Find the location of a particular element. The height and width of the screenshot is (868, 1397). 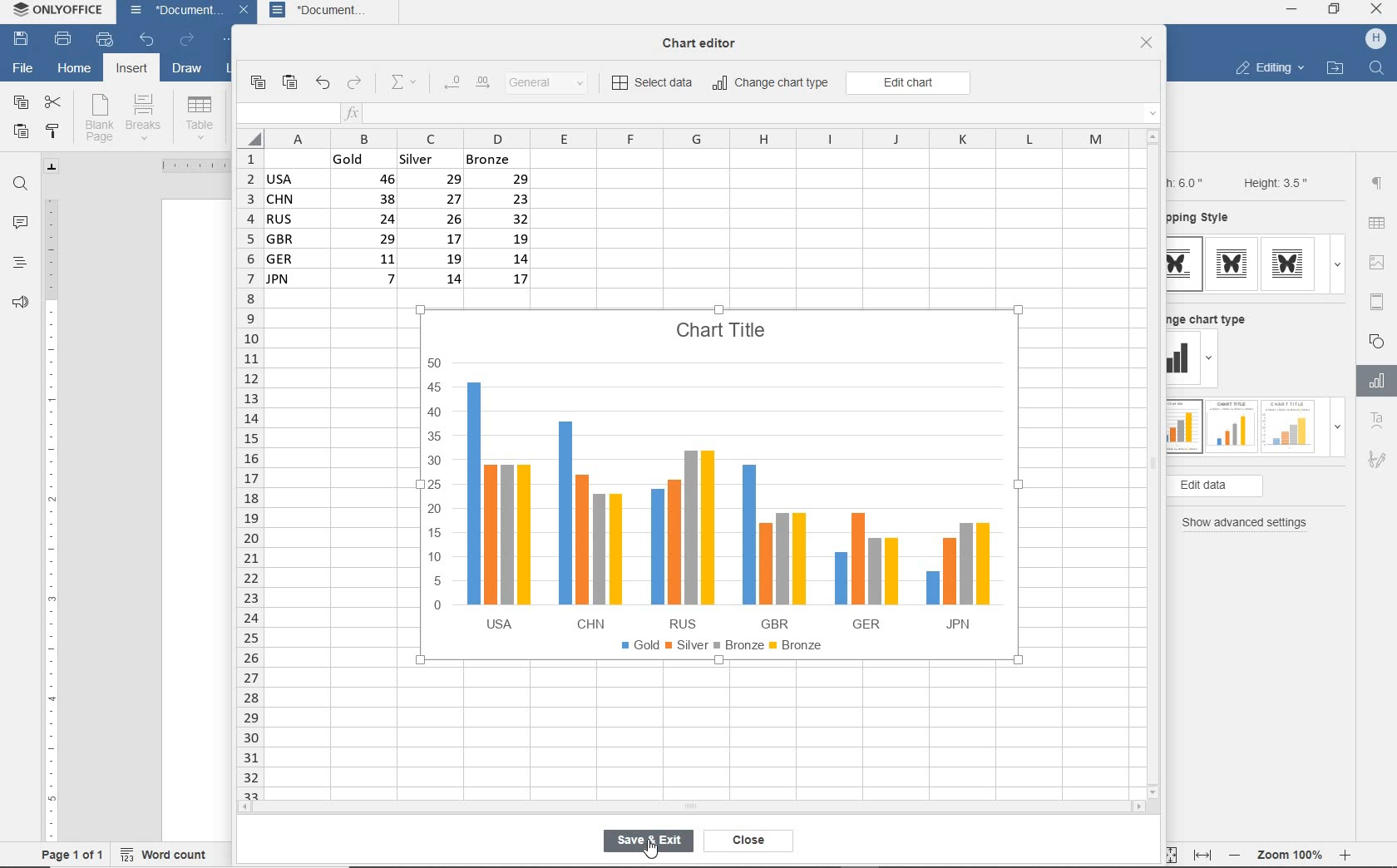

copy is located at coordinates (20, 103).